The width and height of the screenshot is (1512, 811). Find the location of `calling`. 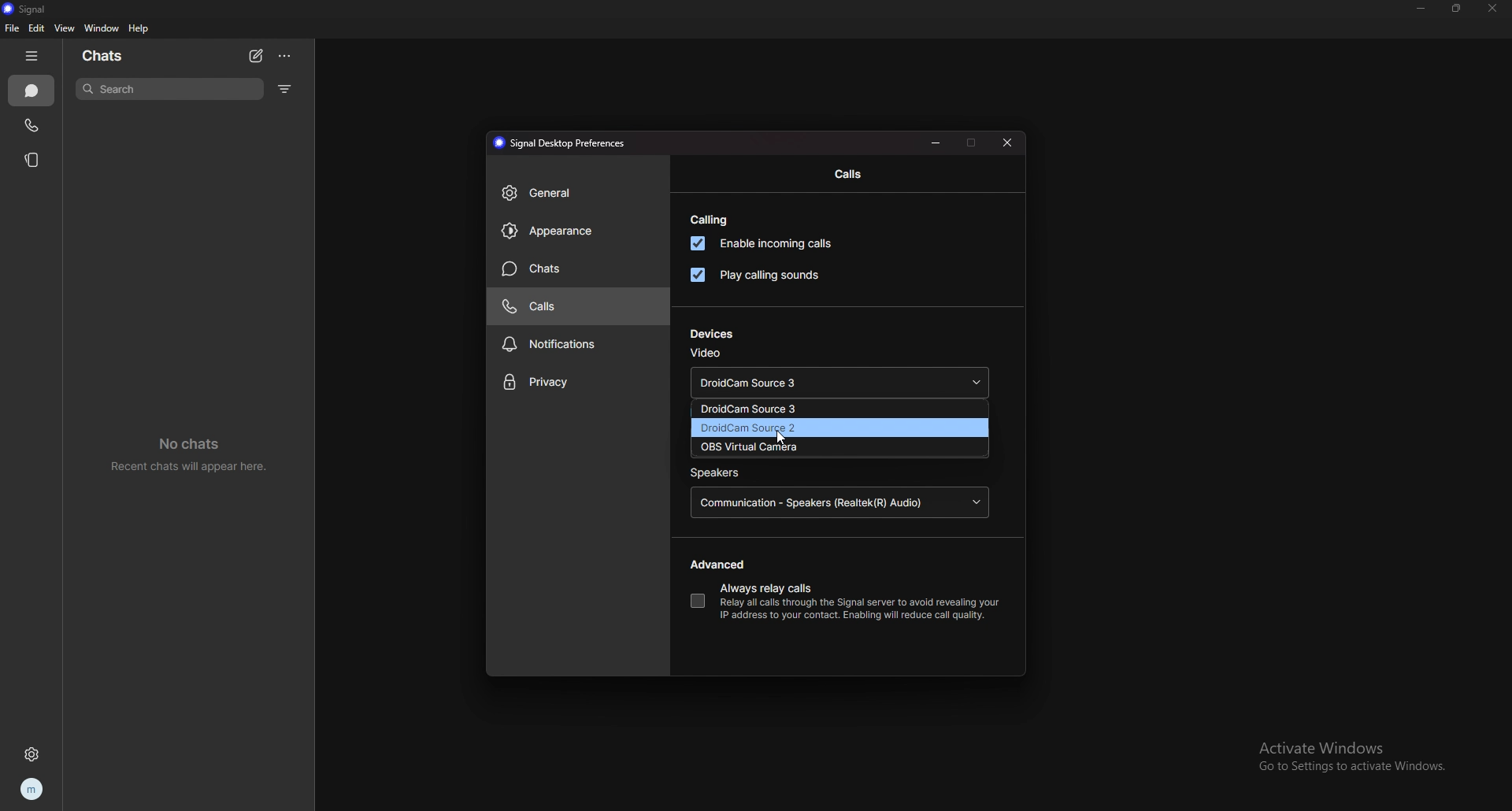

calling is located at coordinates (710, 220).